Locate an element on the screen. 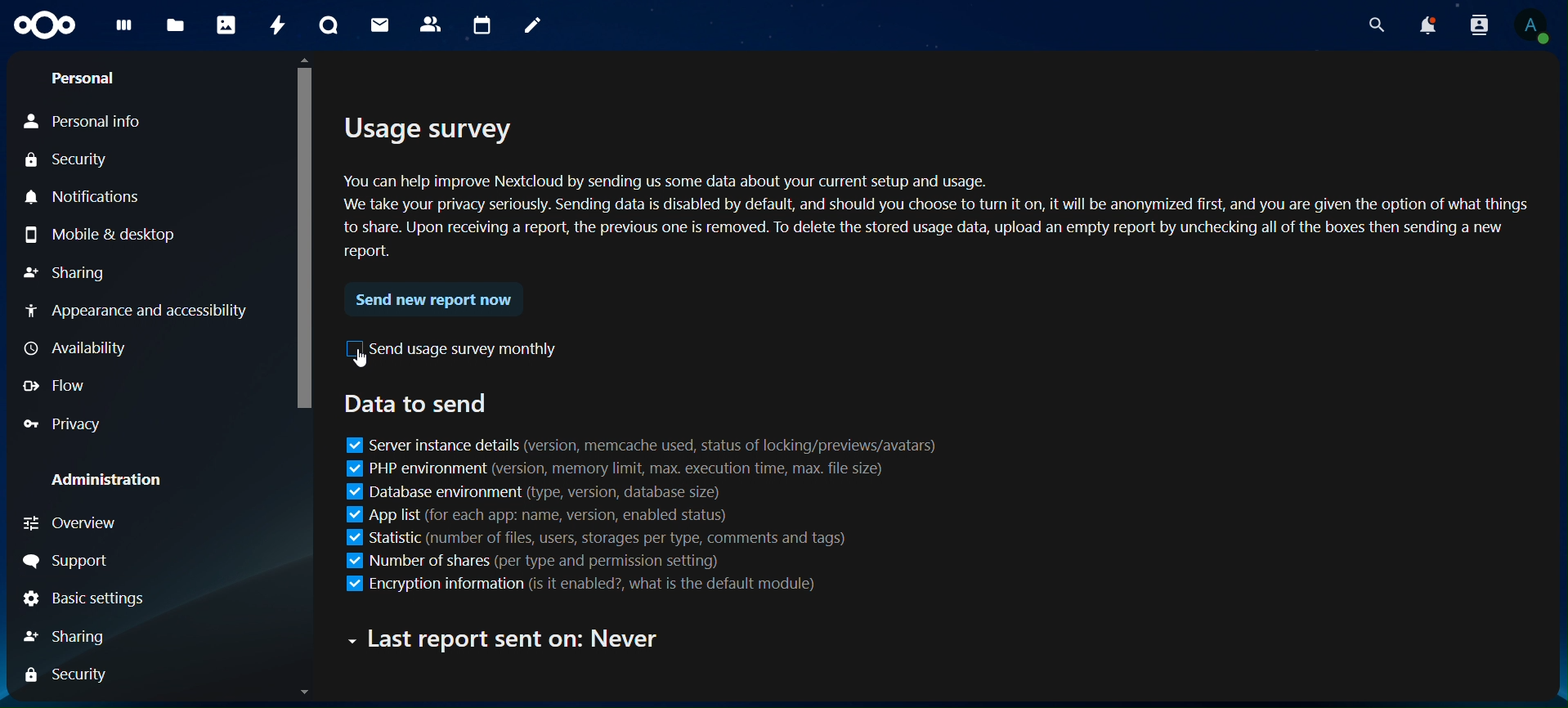  send new report now is located at coordinates (432, 302).